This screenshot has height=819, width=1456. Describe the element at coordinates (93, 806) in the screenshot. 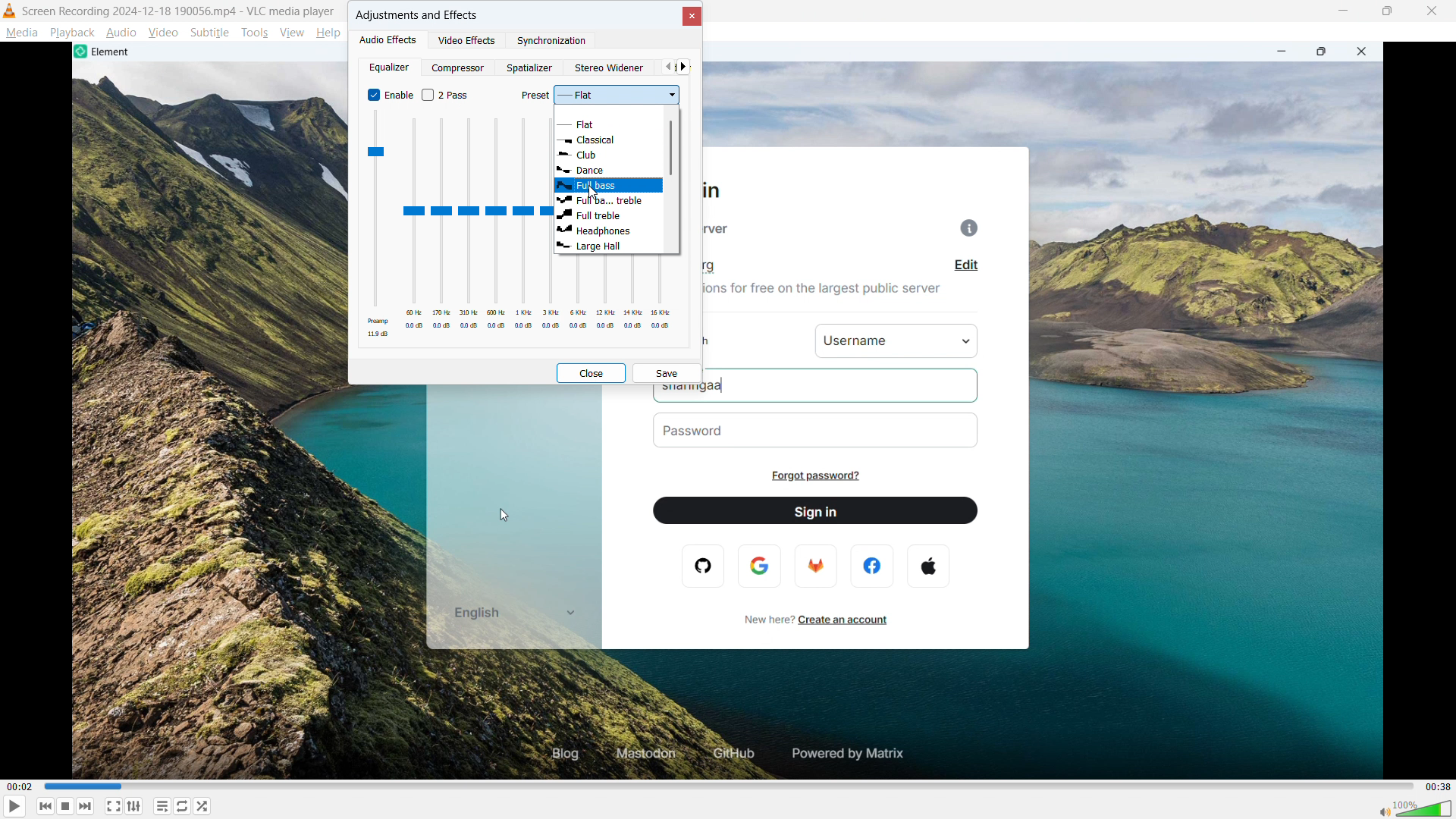

I see `Forward` at that location.